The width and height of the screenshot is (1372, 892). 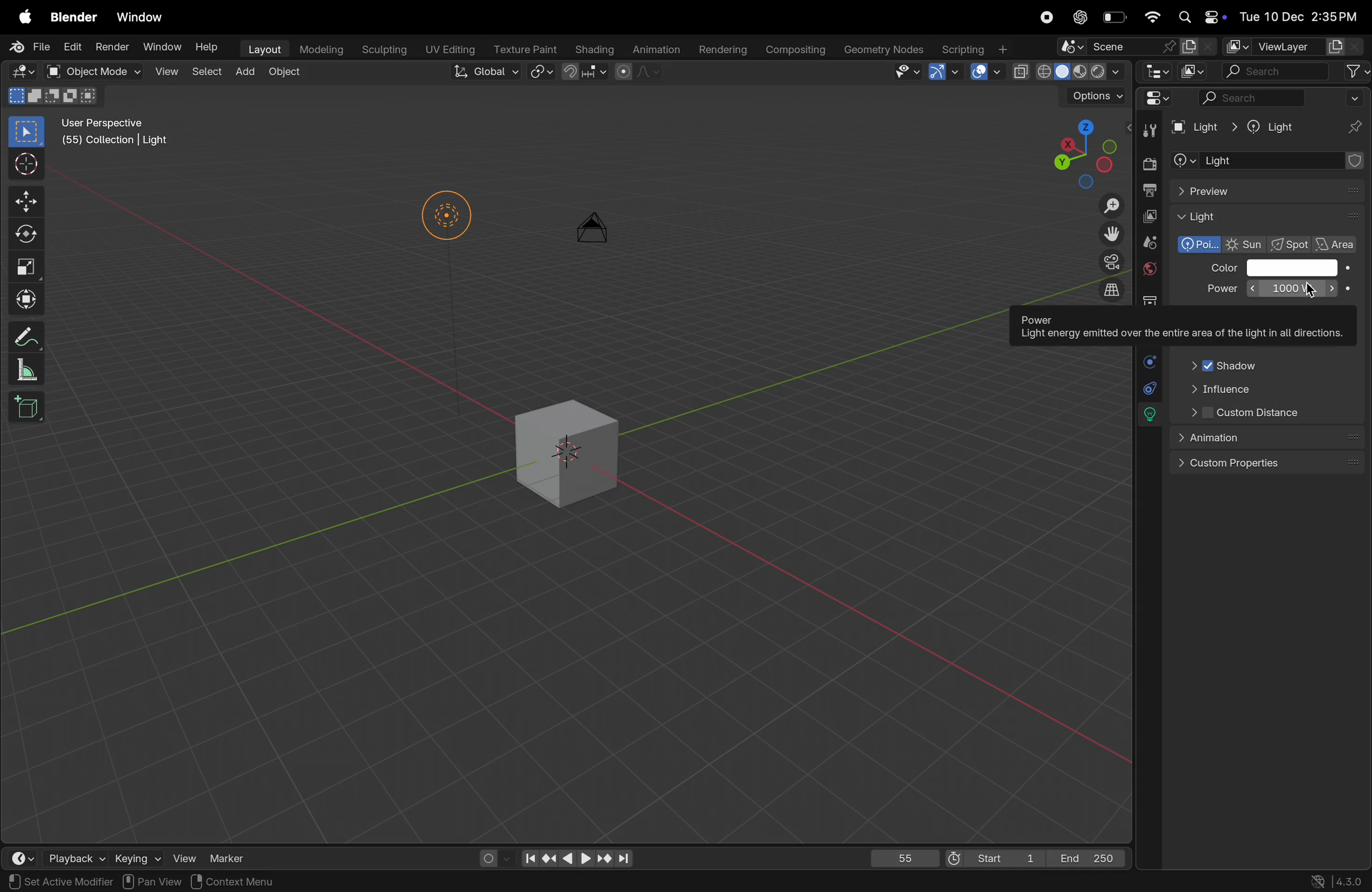 I want to click on world, so click(x=1150, y=270).